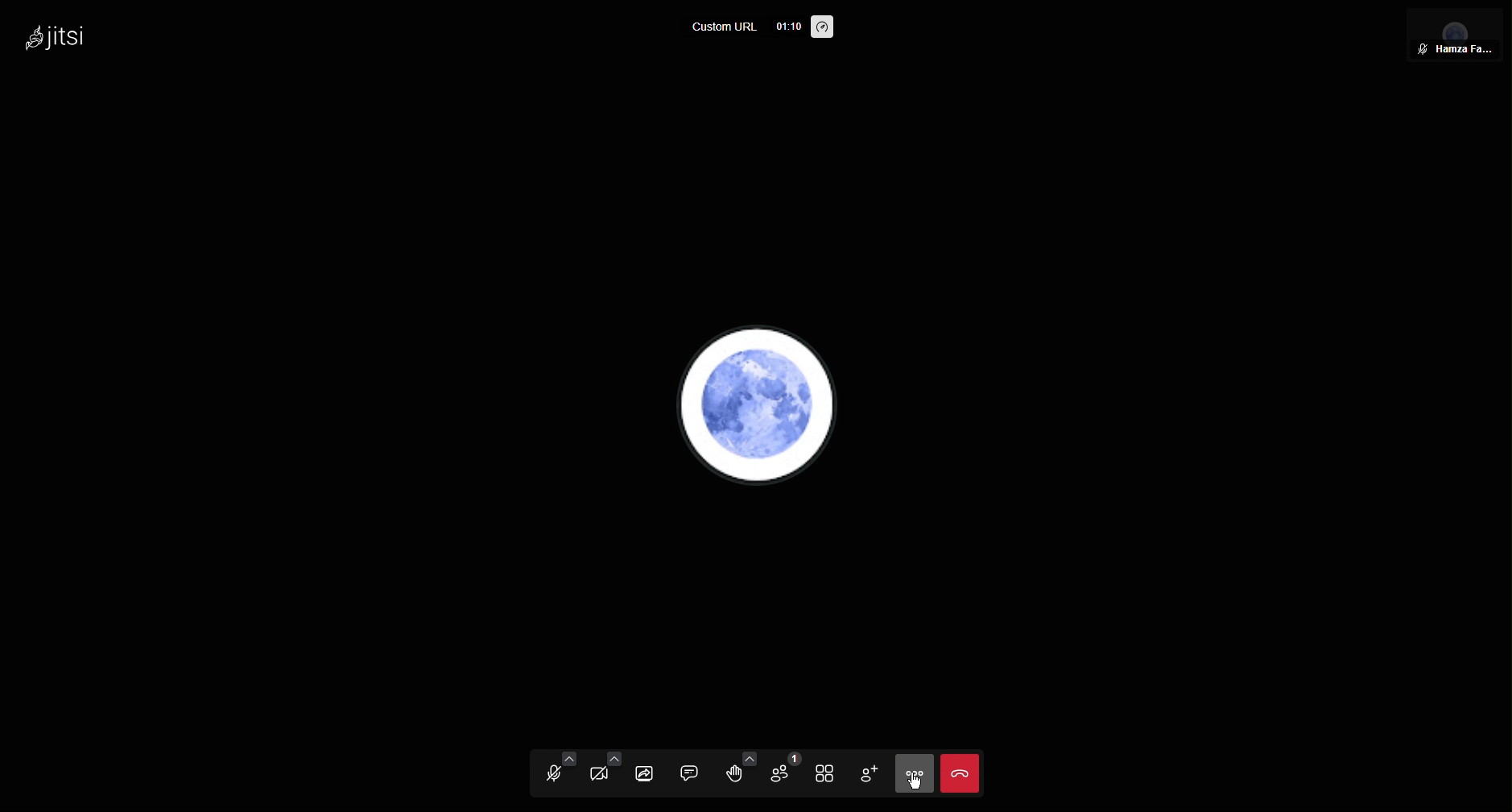  I want to click on Share Screen, so click(655, 772).